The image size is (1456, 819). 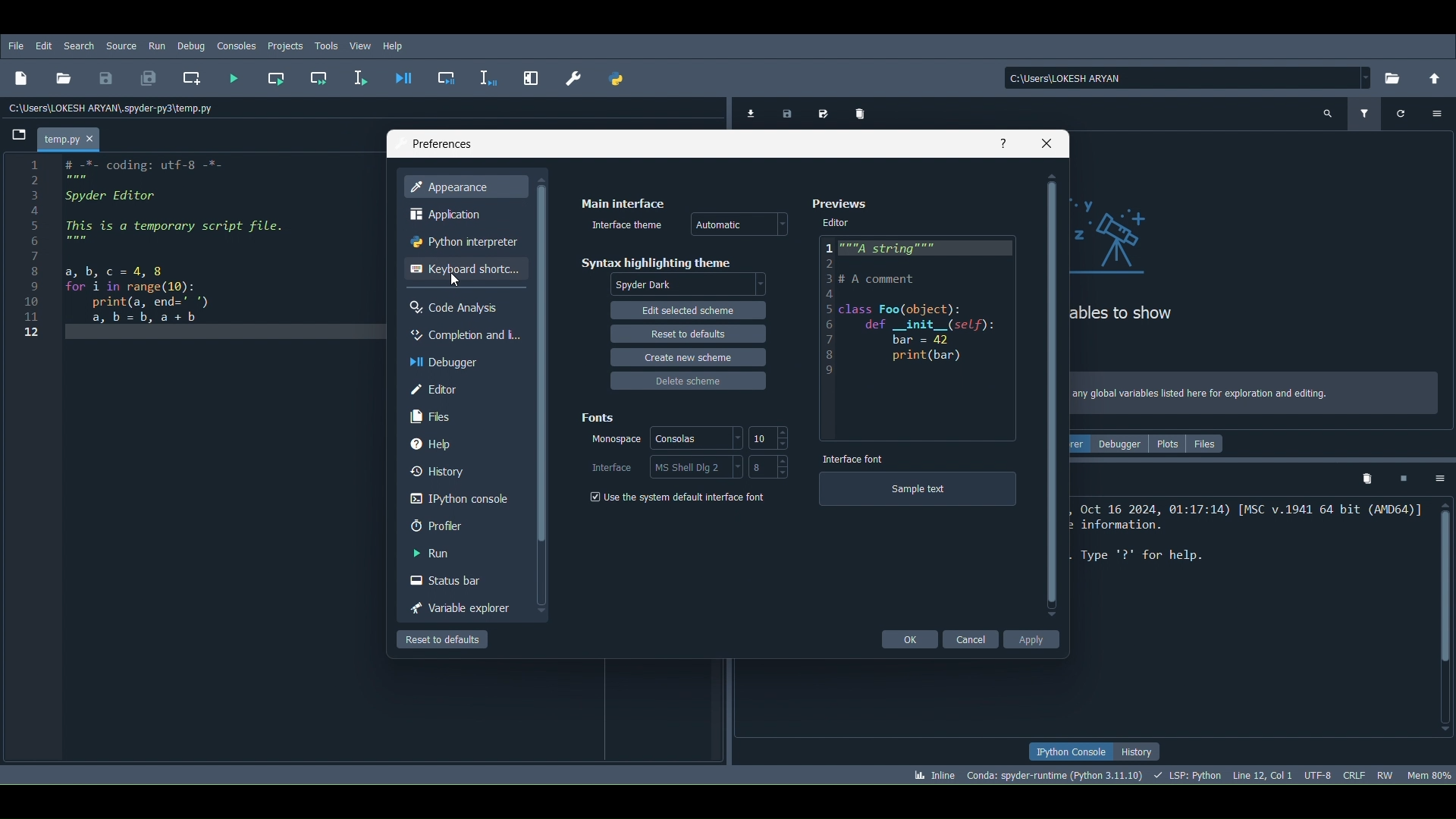 I want to click on File EOL Status, so click(x=1355, y=772).